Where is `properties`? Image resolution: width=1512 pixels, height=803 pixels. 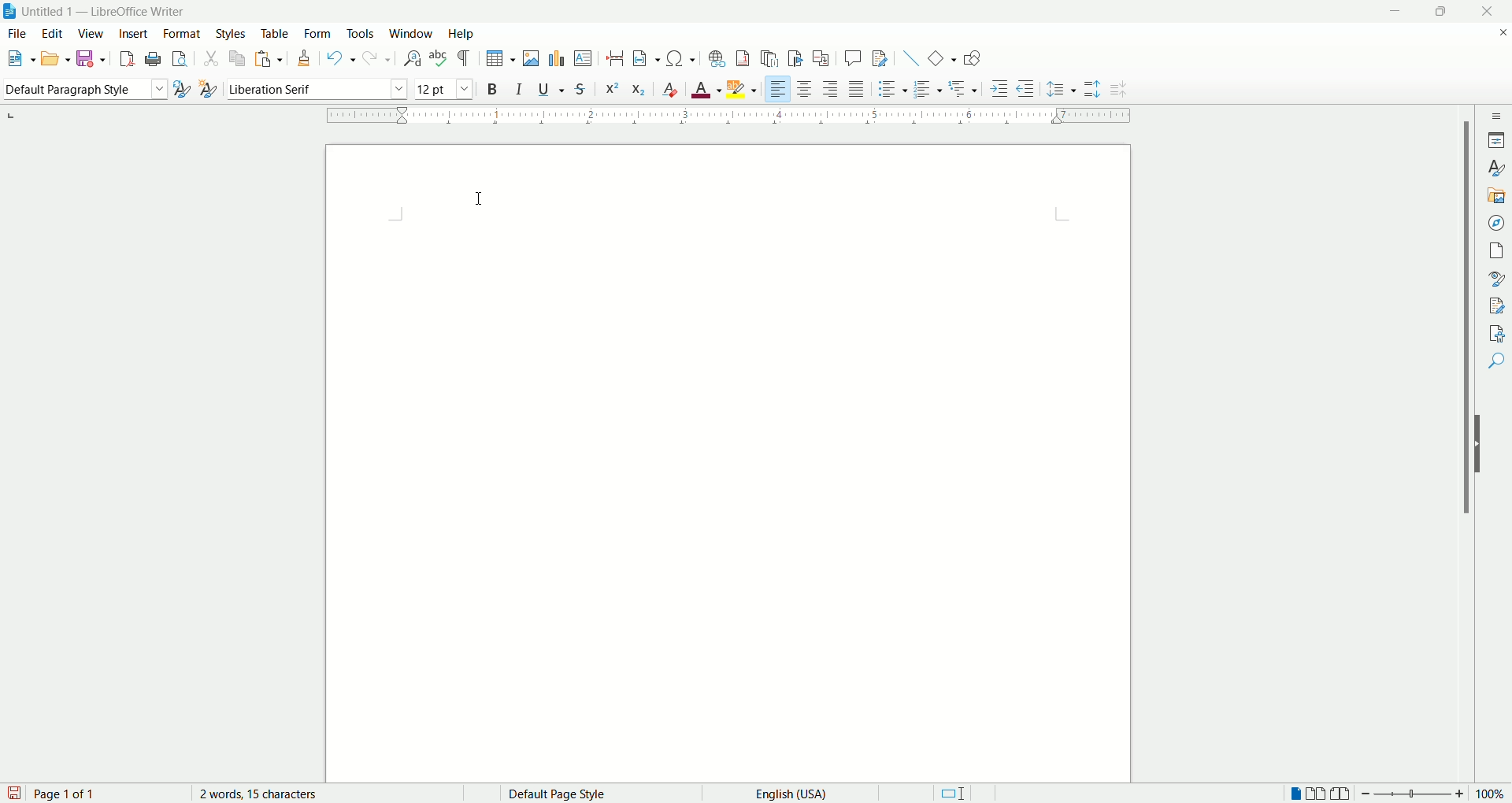 properties is located at coordinates (1497, 141).